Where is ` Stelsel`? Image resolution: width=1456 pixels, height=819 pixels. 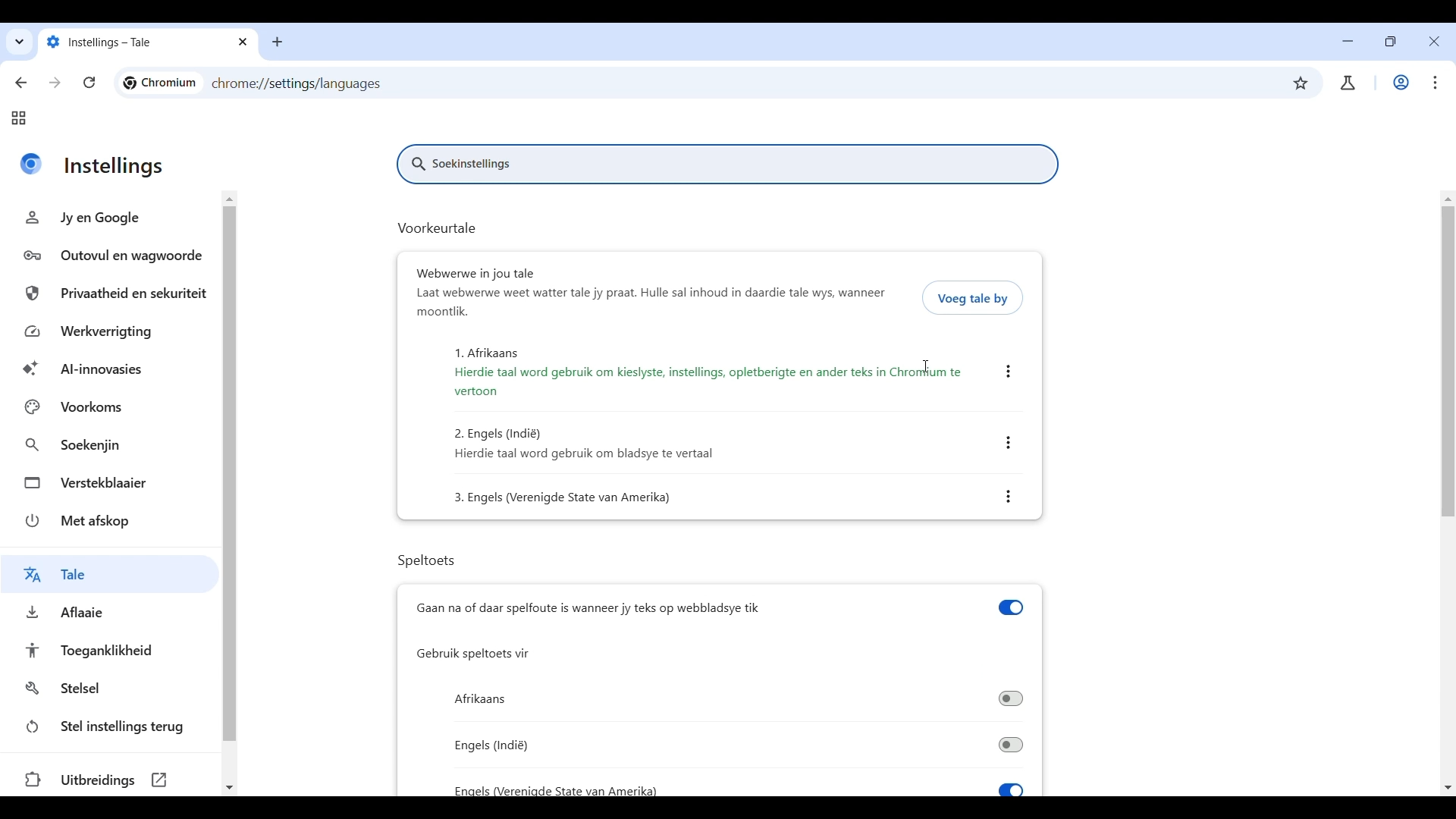
 Stelsel is located at coordinates (88, 690).